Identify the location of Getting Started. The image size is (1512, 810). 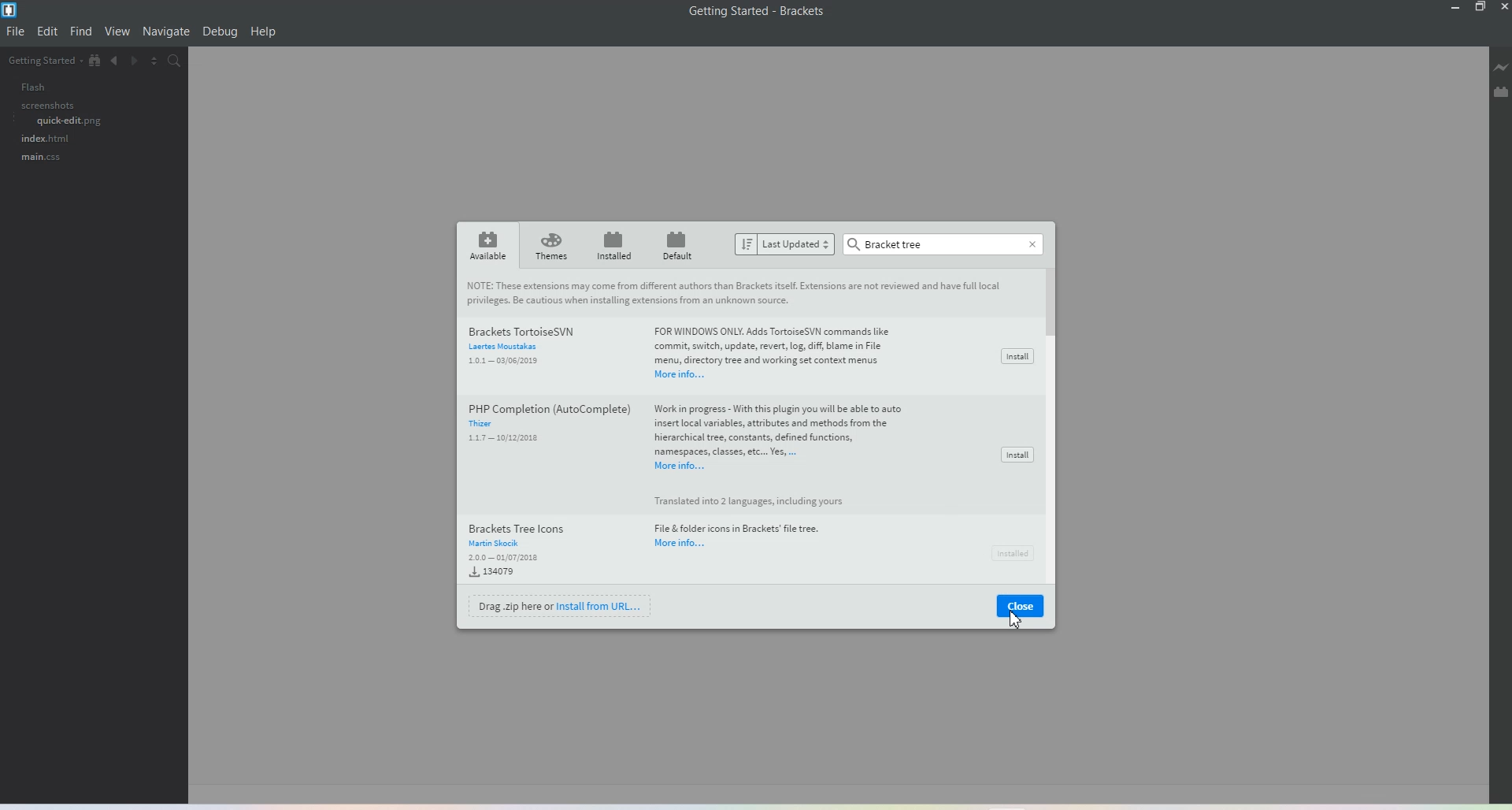
(43, 61).